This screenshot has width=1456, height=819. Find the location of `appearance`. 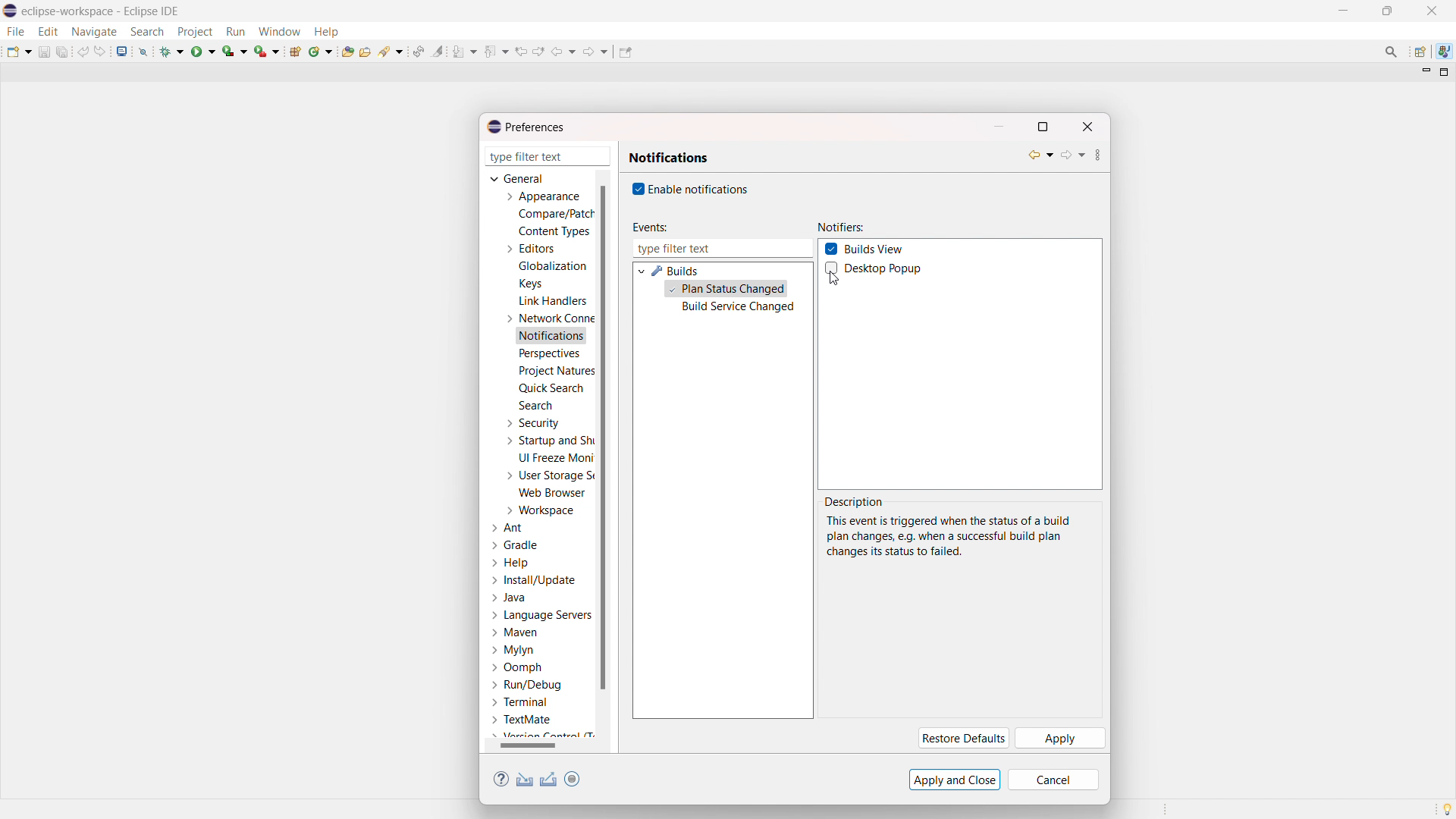

appearance is located at coordinates (541, 196).